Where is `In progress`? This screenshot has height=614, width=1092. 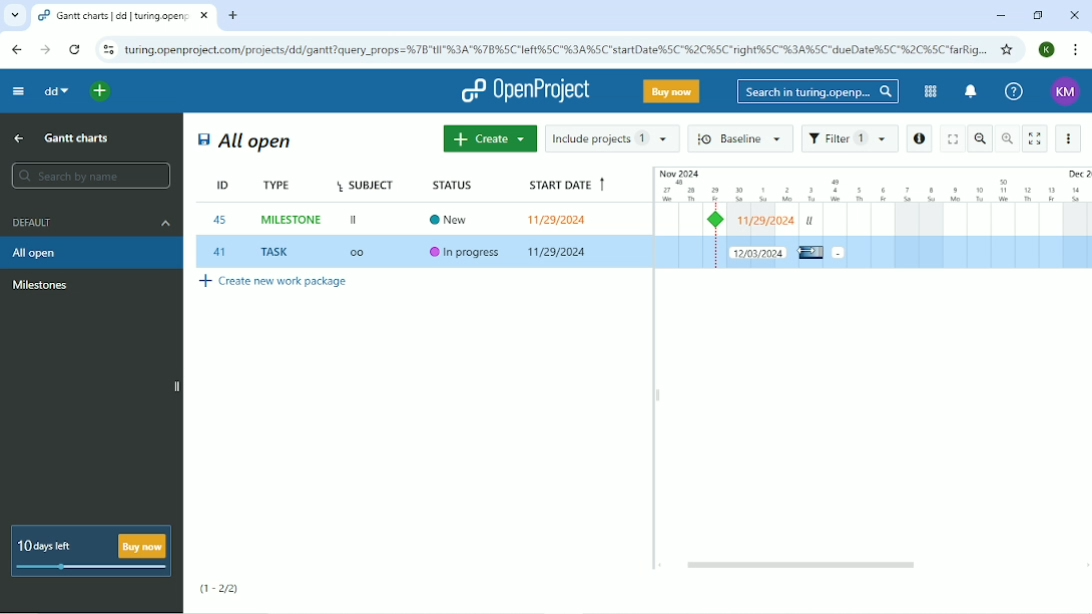 In progress is located at coordinates (466, 253).